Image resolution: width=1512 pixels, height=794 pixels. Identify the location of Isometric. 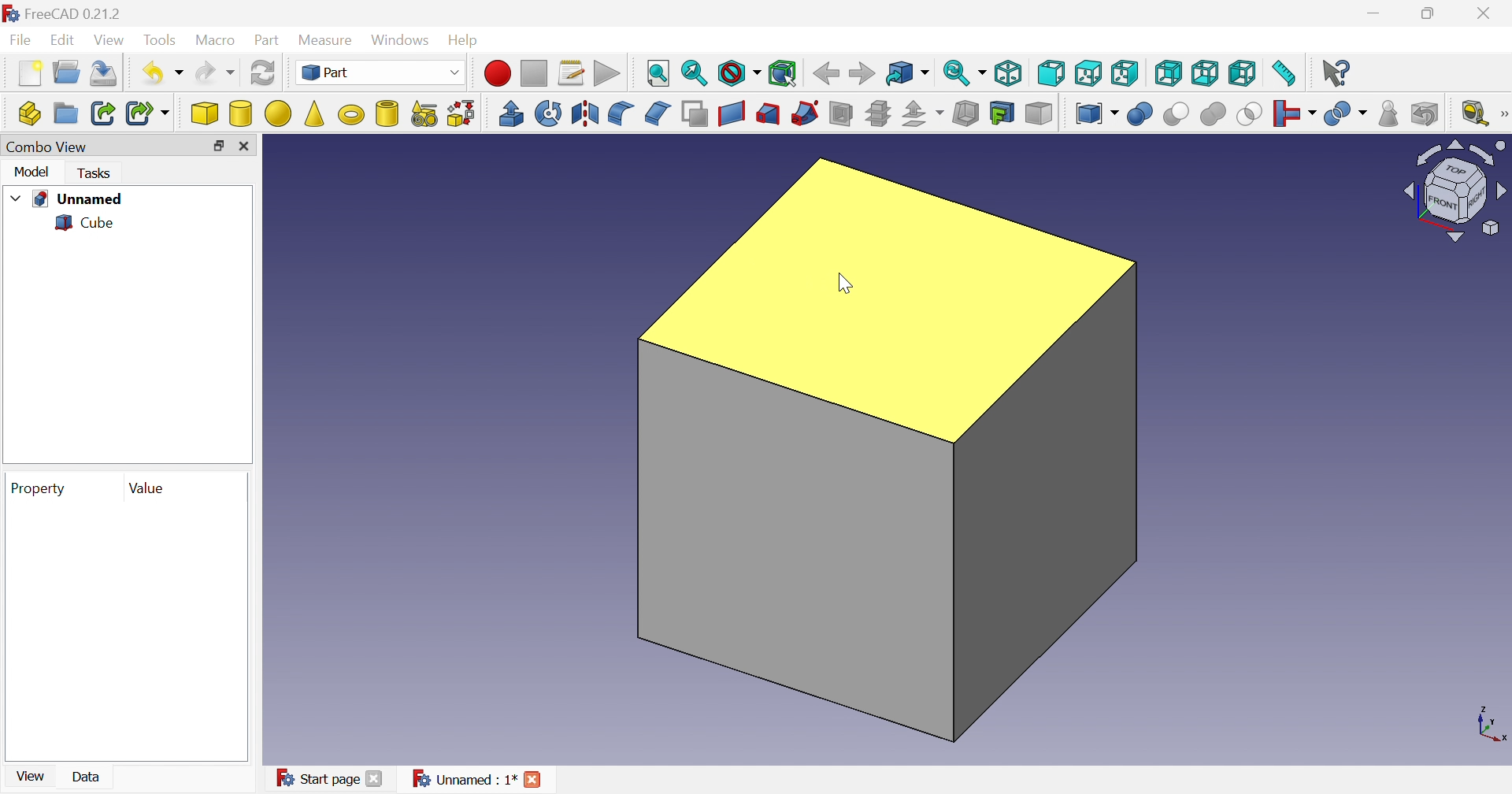
(1007, 72).